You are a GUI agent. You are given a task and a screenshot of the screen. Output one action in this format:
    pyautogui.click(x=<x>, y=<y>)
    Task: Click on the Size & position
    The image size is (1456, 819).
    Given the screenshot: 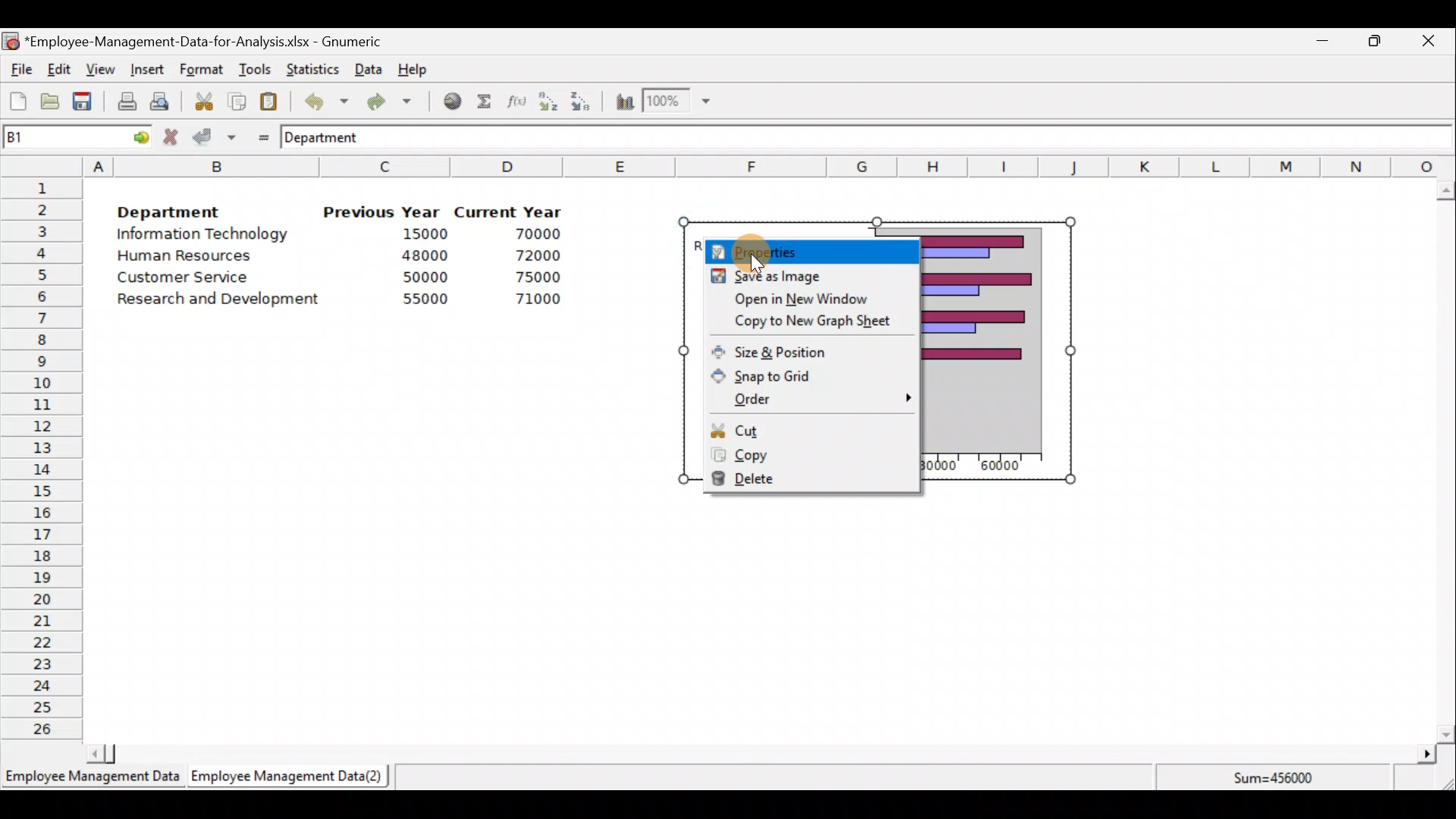 What is the action you would take?
    pyautogui.click(x=805, y=349)
    